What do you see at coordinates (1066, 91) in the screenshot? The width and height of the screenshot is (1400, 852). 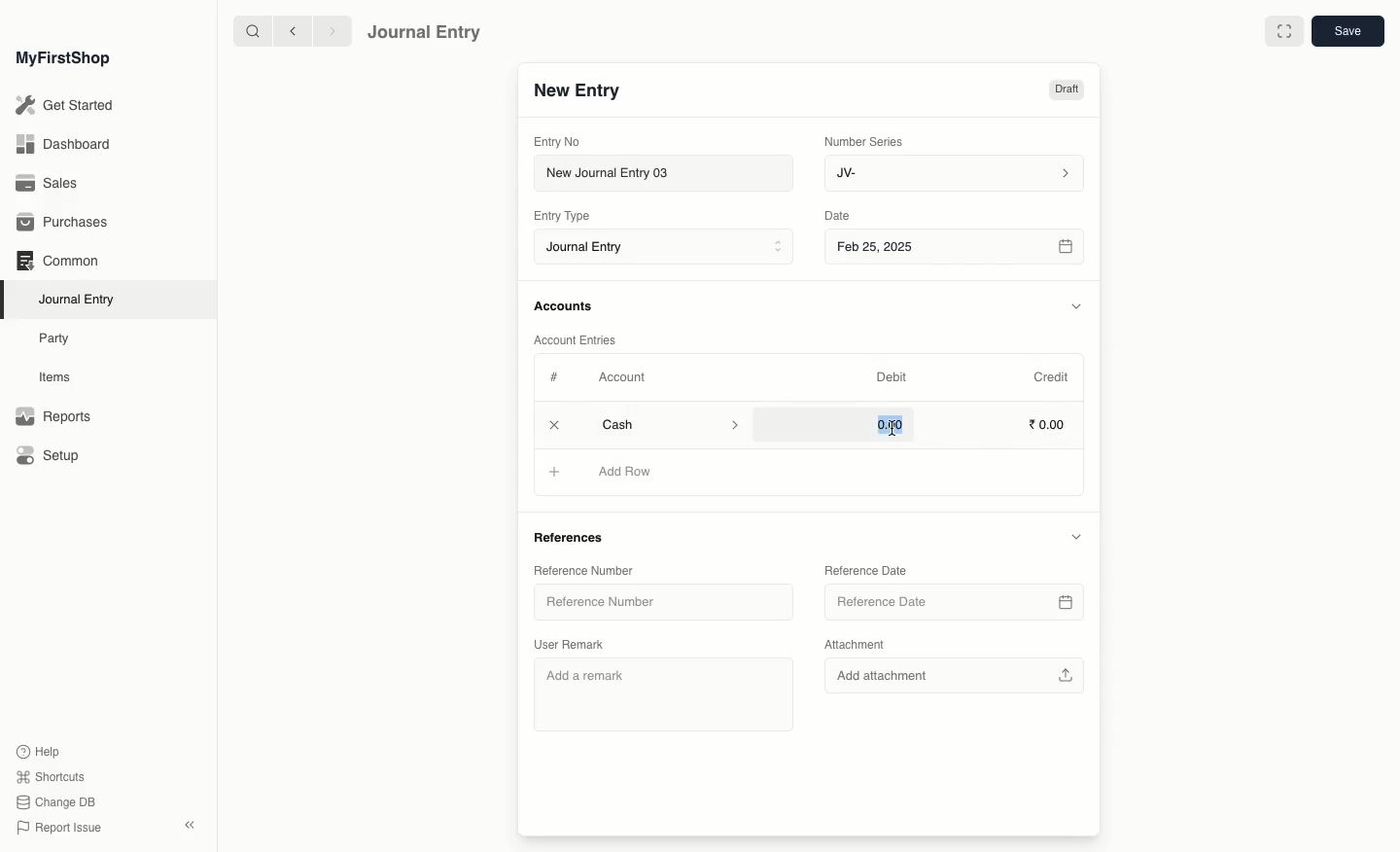 I see `Draft` at bounding box center [1066, 91].